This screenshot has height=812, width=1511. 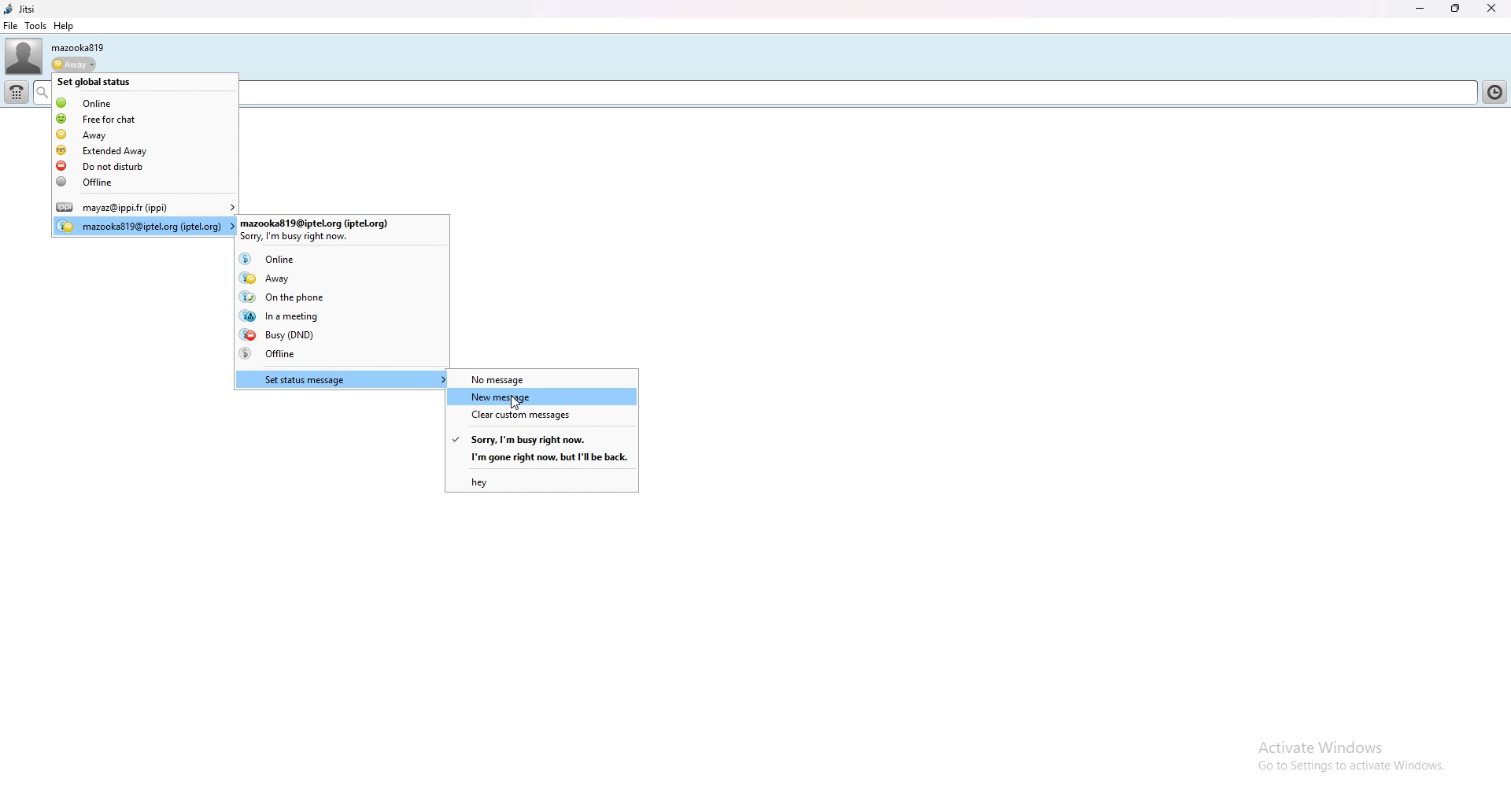 I want to click on cursor, so click(x=519, y=408).